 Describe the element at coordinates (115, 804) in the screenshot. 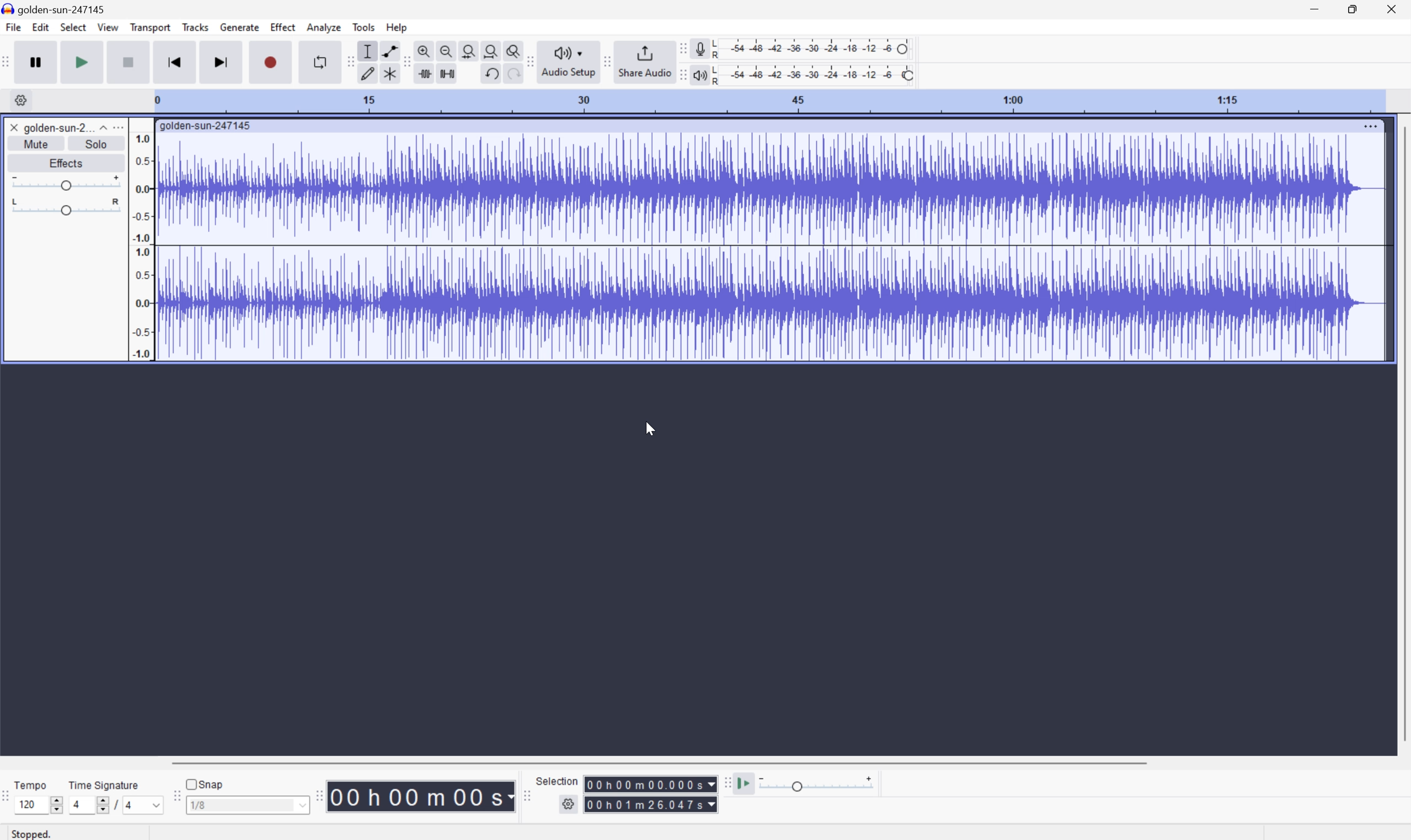

I see `/` at that location.